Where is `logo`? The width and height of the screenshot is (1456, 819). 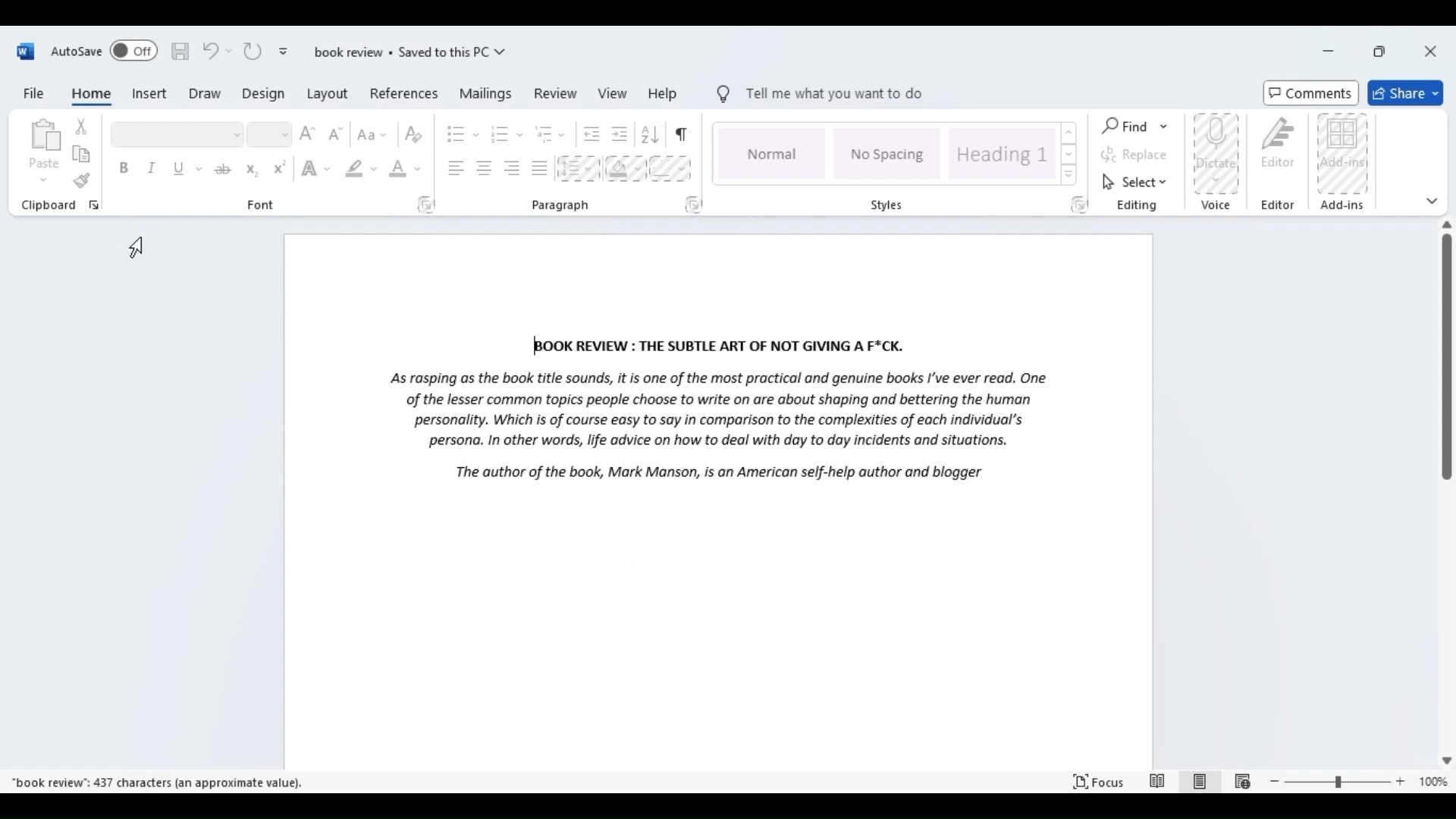 logo is located at coordinates (20, 52).